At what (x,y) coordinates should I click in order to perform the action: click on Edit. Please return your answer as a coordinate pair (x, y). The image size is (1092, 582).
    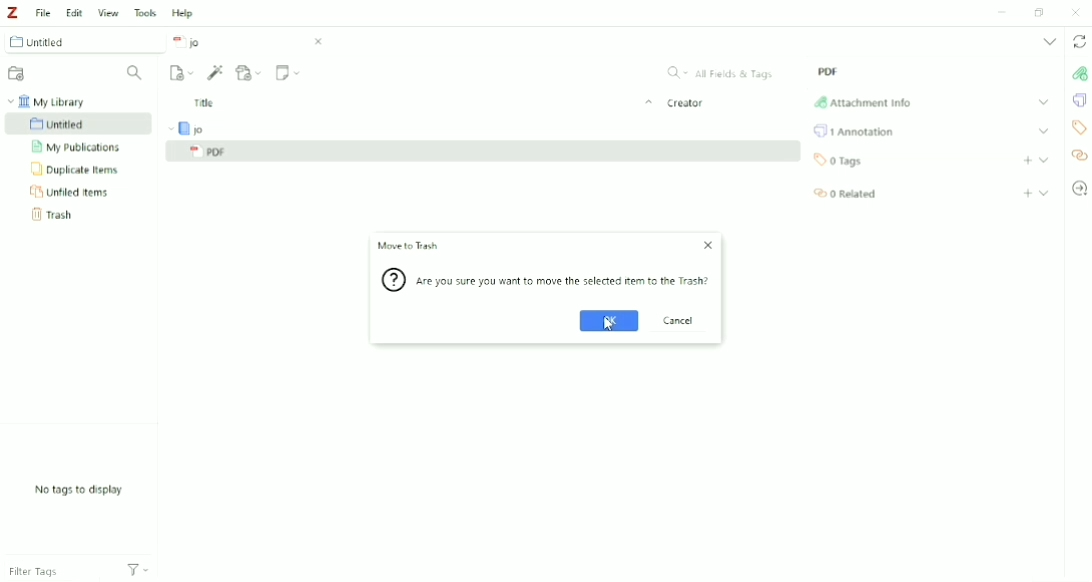
    Looking at the image, I should click on (74, 12).